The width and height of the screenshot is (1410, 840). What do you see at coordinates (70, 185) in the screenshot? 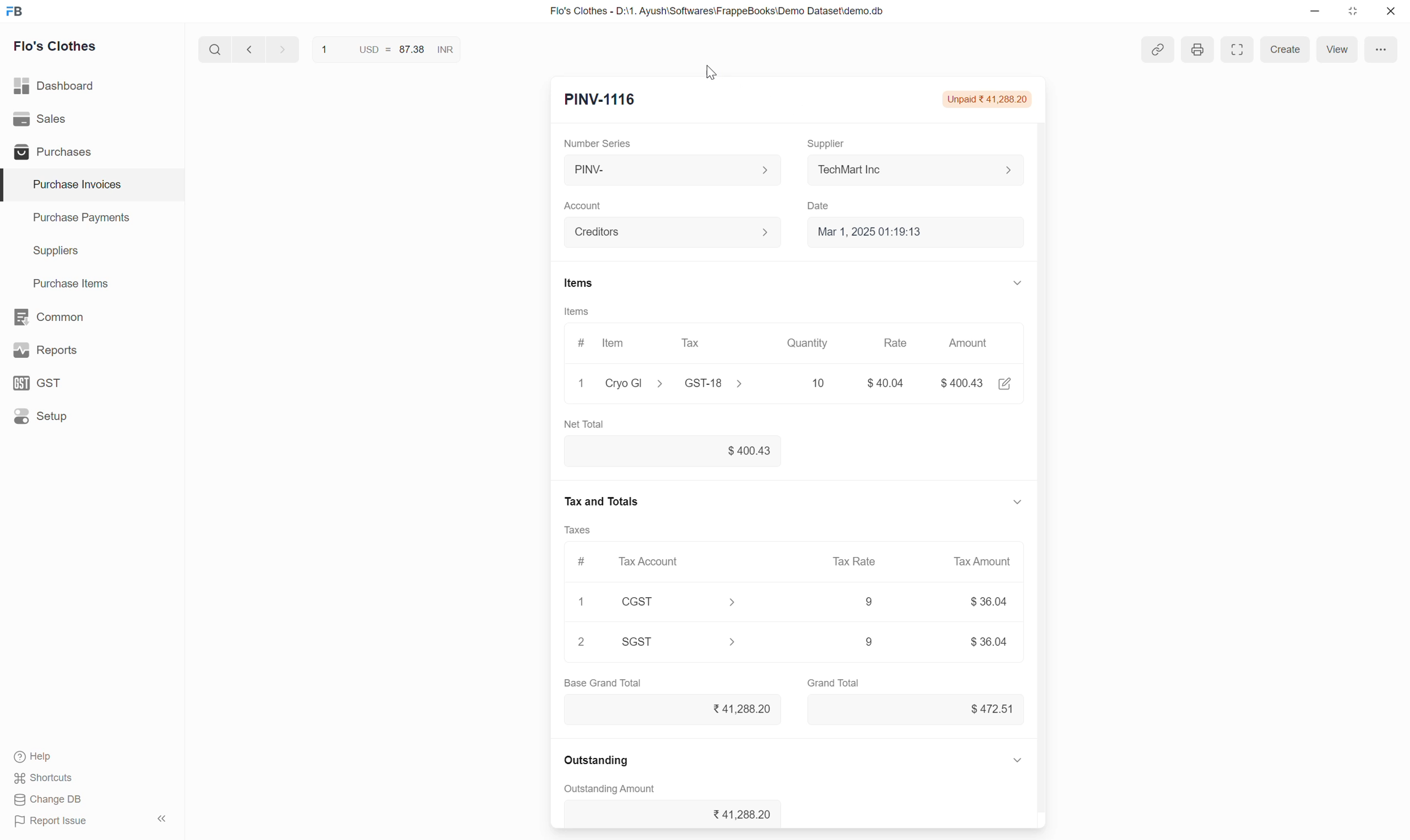
I see `Purchase Invoices` at bounding box center [70, 185].